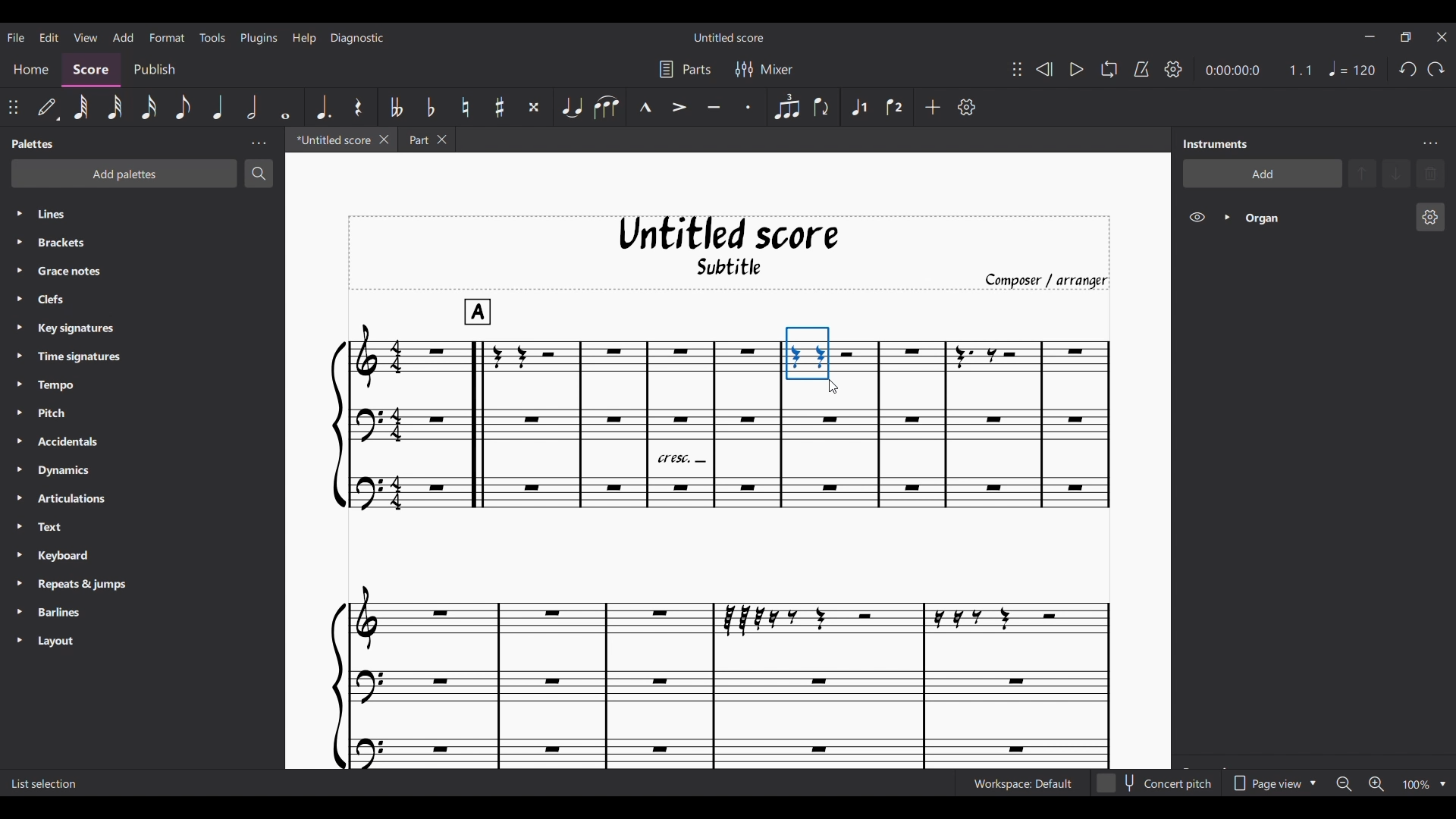  What do you see at coordinates (645, 108) in the screenshot?
I see `Marcato` at bounding box center [645, 108].